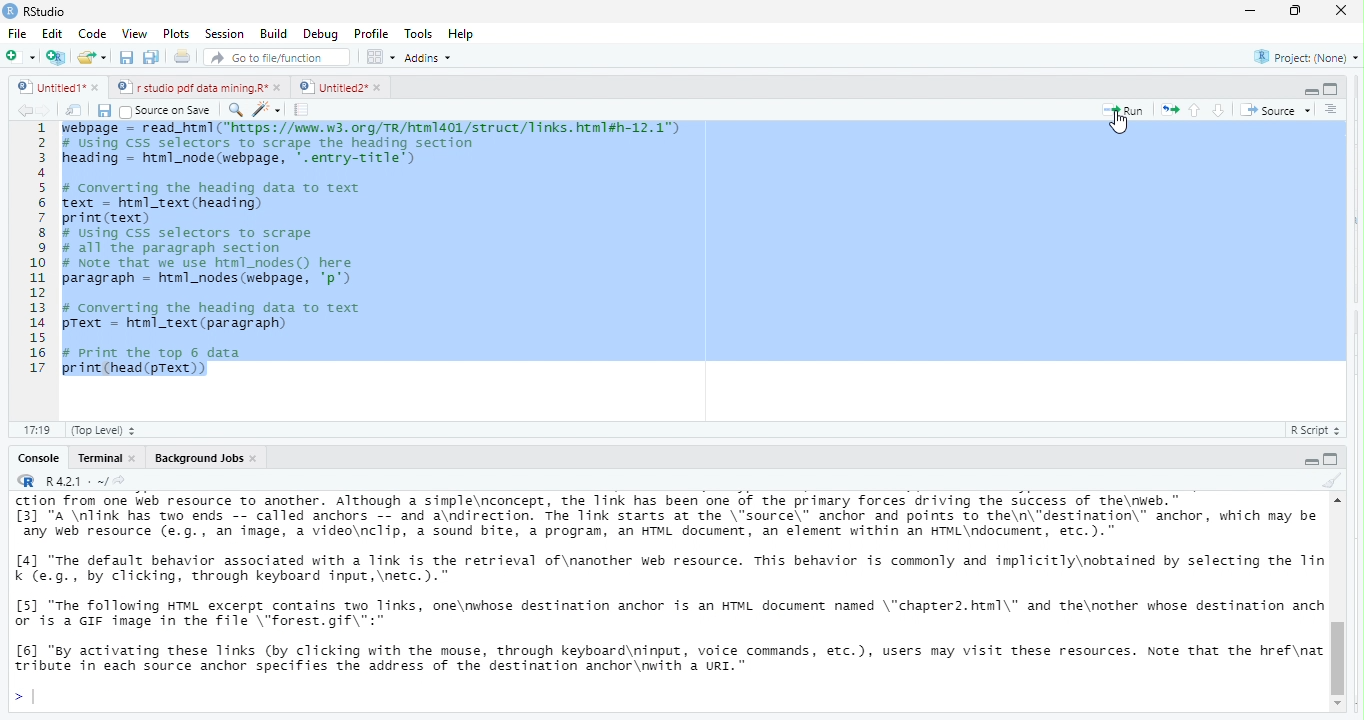 Image resolution: width=1364 pixels, height=720 pixels. I want to click on hide r script, so click(1309, 89).